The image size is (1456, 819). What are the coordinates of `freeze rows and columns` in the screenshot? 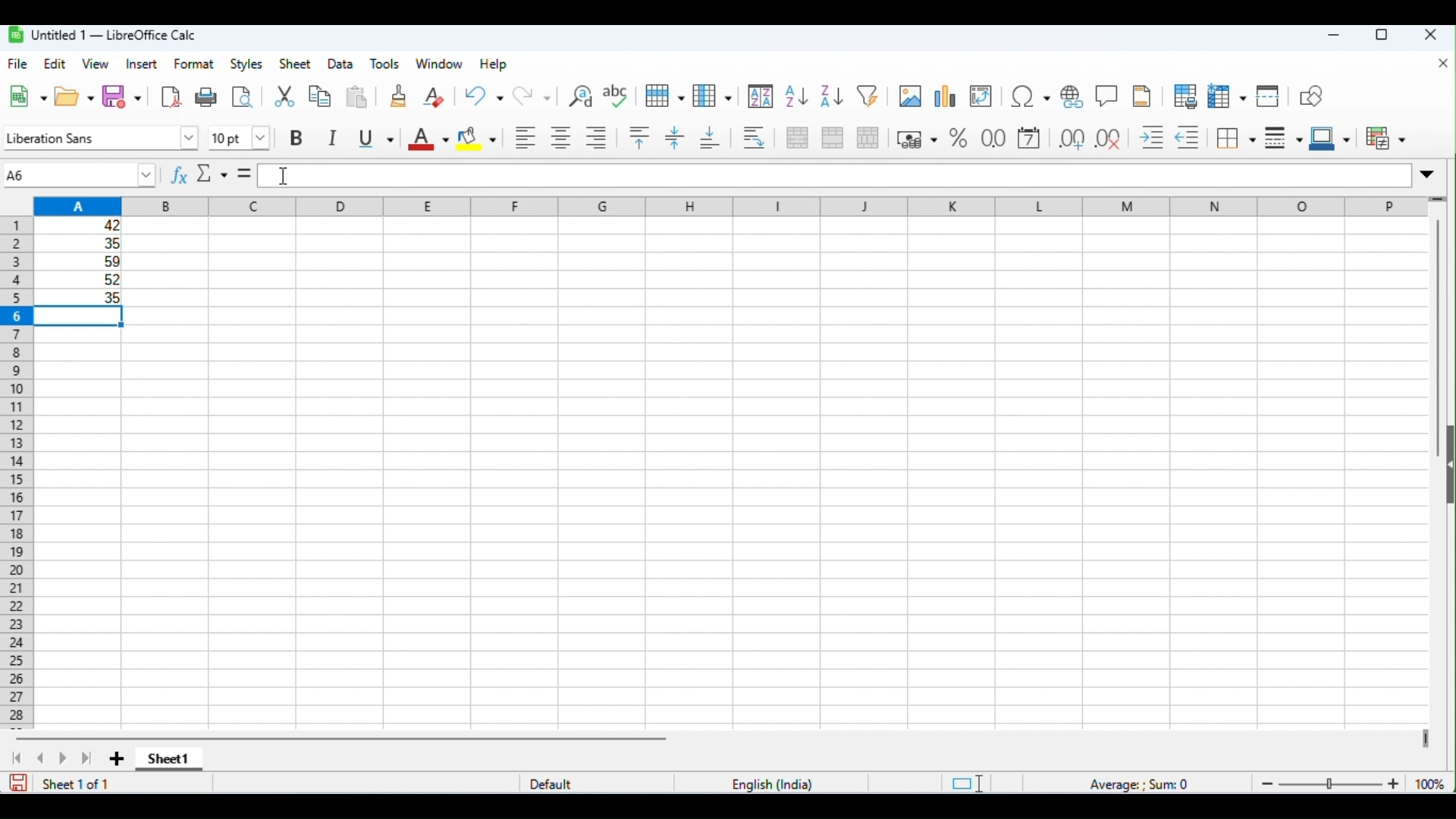 It's located at (1225, 96).